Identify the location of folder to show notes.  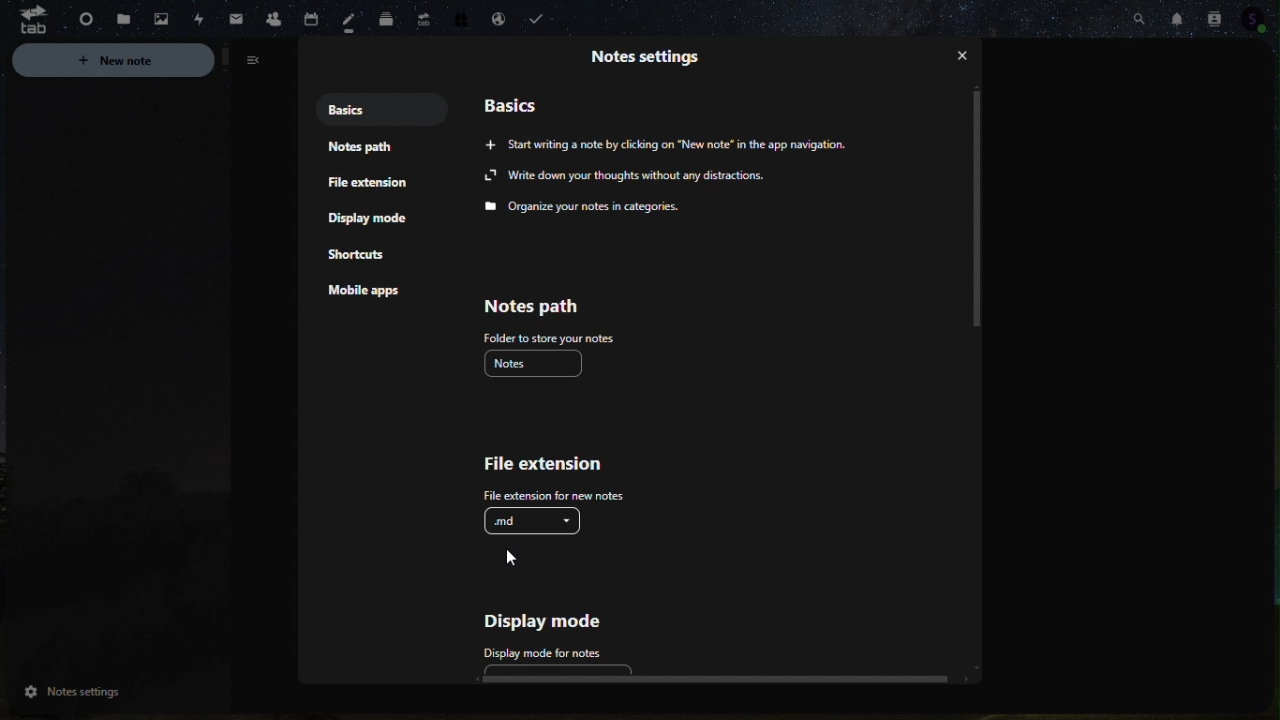
(549, 338).